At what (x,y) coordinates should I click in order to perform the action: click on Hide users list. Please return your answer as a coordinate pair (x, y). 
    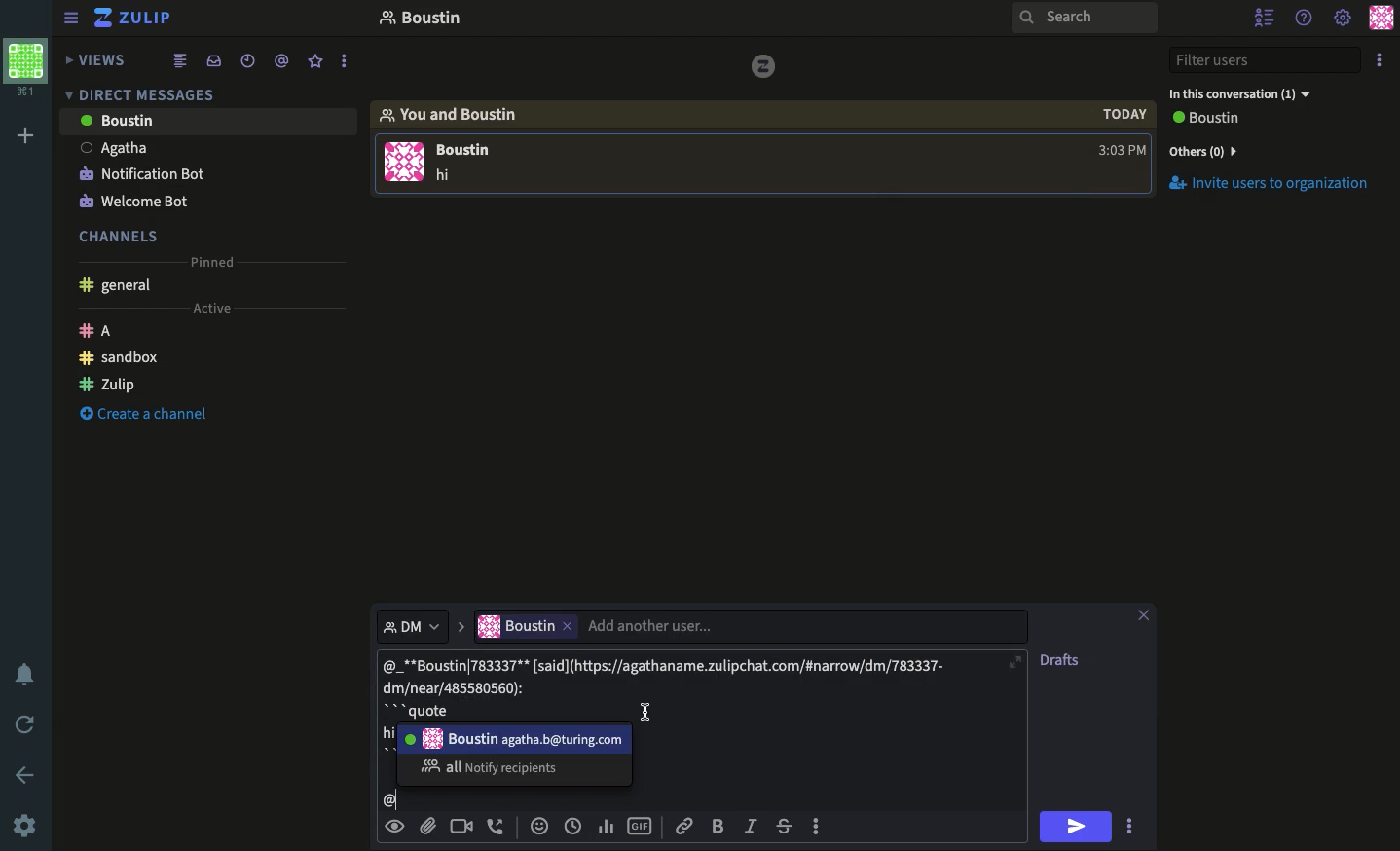
    Looking at the image, I should click on (1266, 17).